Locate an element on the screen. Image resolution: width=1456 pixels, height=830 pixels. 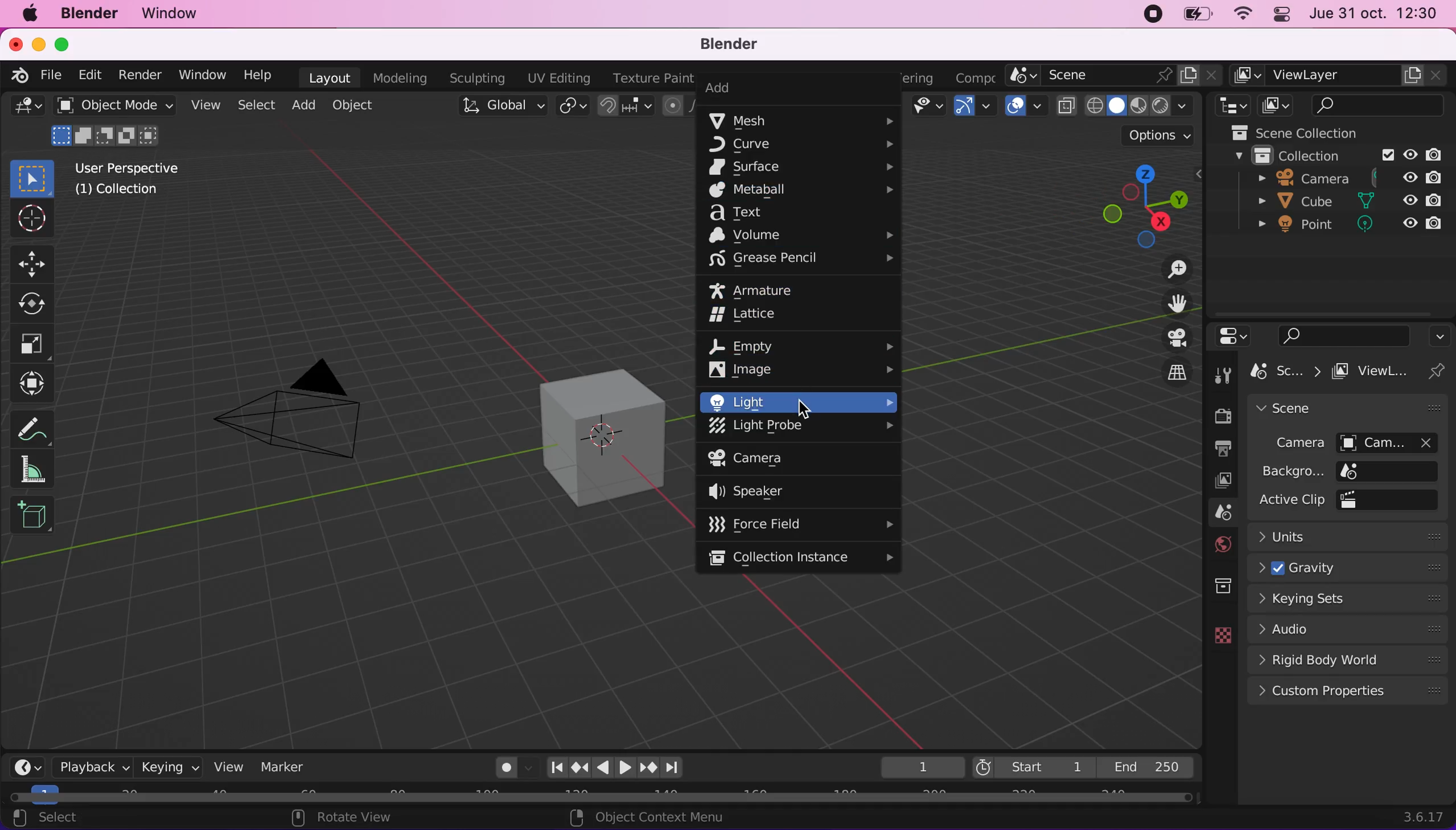
rendering is located at coordinates (924, 78).